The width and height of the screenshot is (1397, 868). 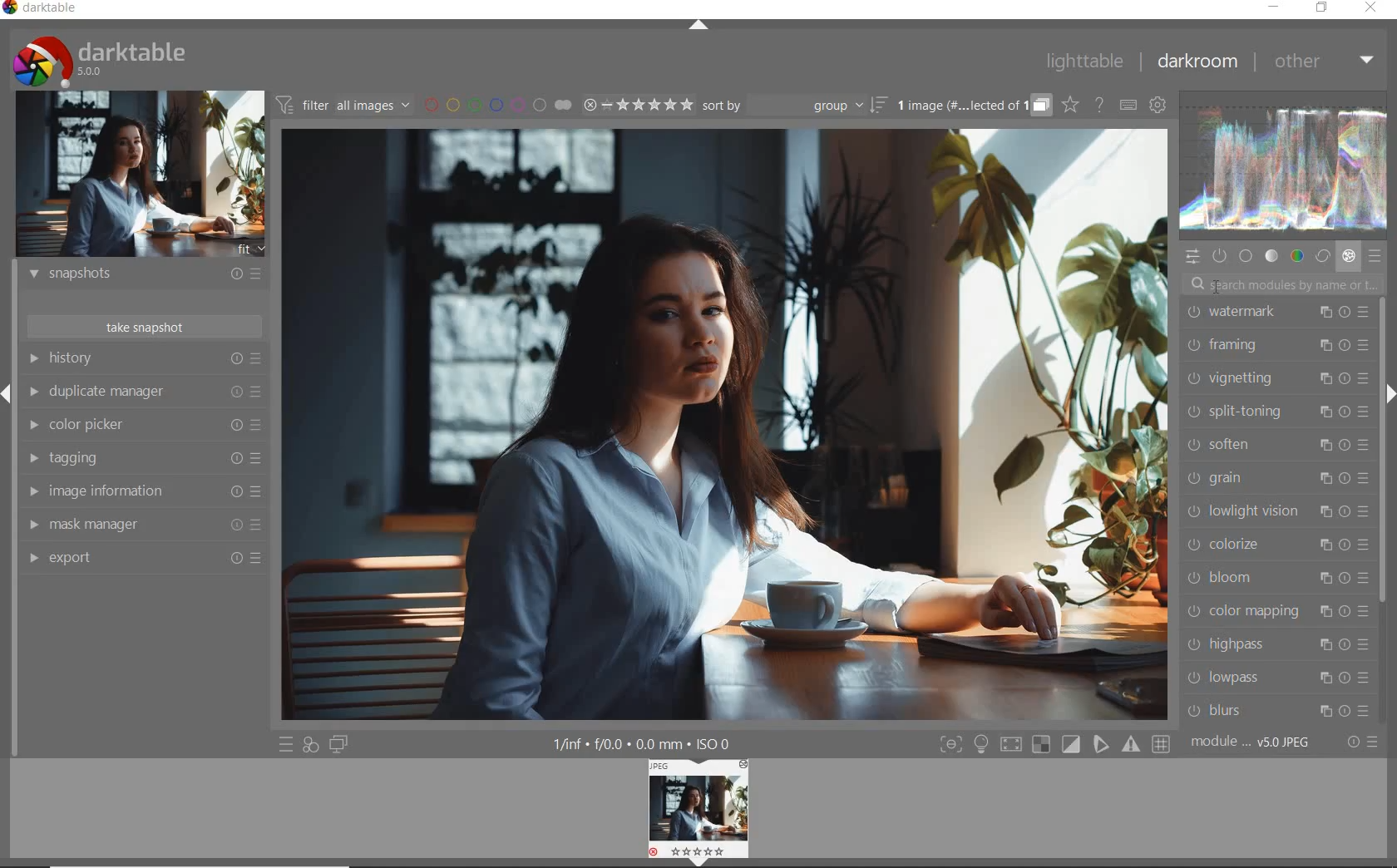 What do you see at coordinates (1251, 742) in the screenshot?
I see `module..v50JPEG` at bounding box center [1251, 742].